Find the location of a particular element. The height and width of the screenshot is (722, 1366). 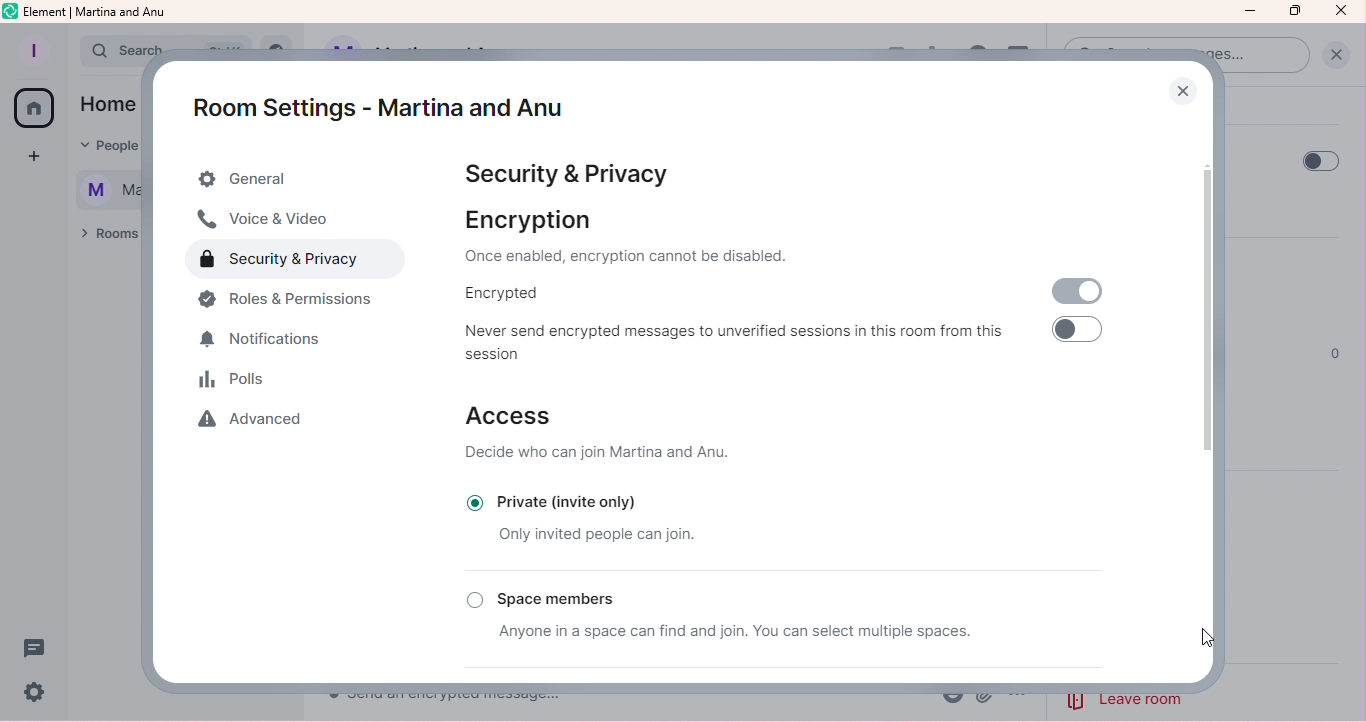

Voice and video is located at coordinates (274, 221).